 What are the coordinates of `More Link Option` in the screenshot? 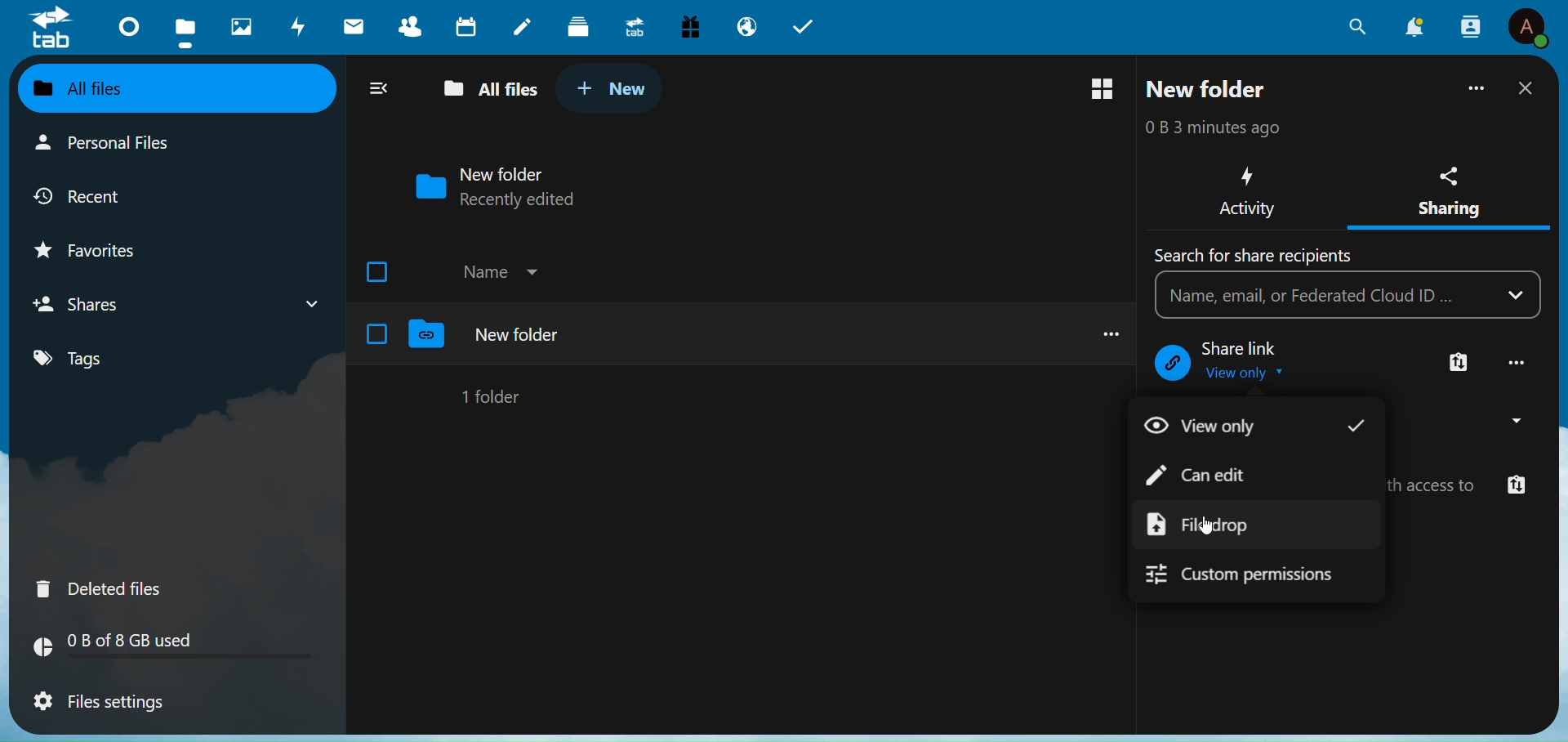 It's located at (1459, 364).